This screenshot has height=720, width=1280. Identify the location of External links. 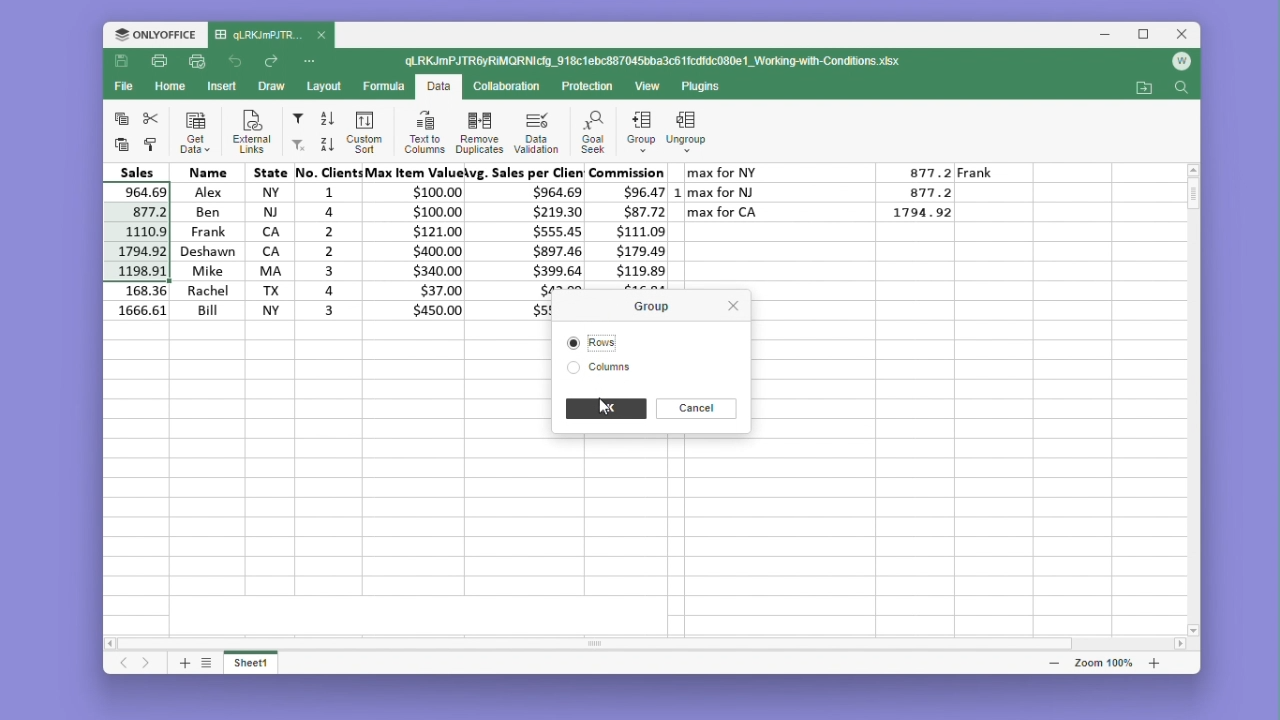
(248, 132).